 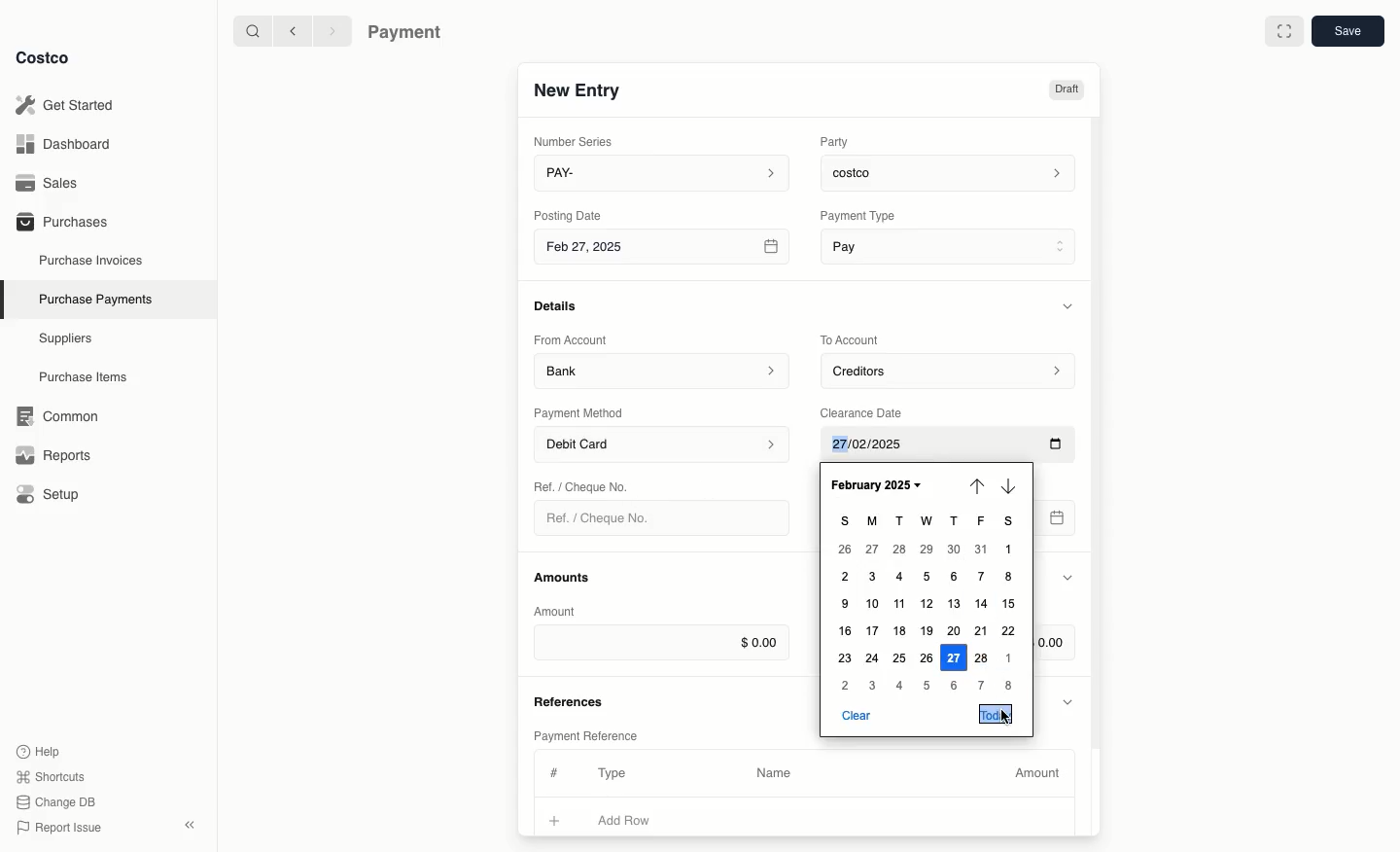 What do you see at coordinates (331, 30) in the screenshot?
I see `Forward` at bounding box center [331, 30].